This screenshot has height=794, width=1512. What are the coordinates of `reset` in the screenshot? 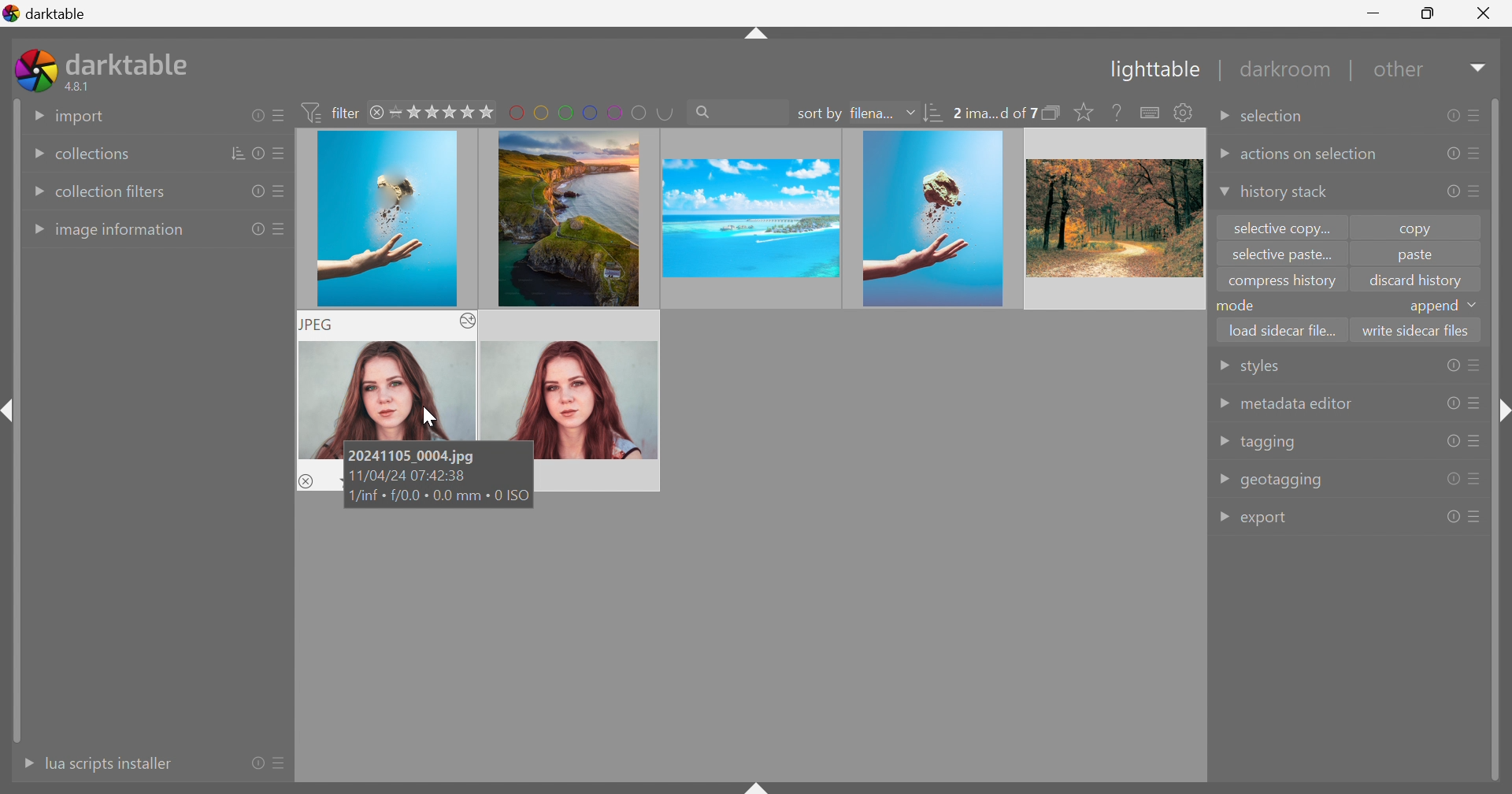 It's located at (1453, 517).